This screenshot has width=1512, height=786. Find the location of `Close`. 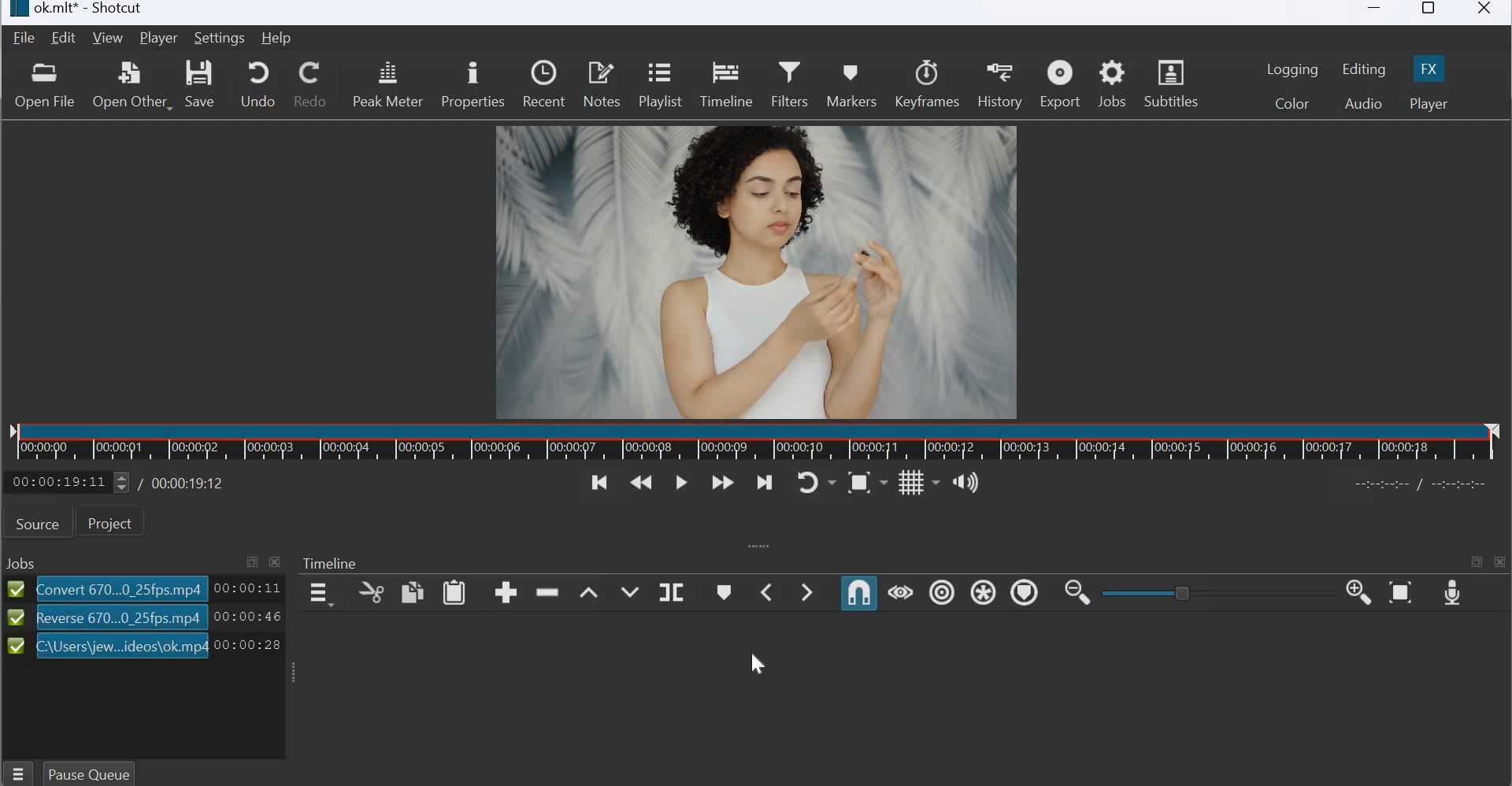

Close is located at coordinates (1487, 12).